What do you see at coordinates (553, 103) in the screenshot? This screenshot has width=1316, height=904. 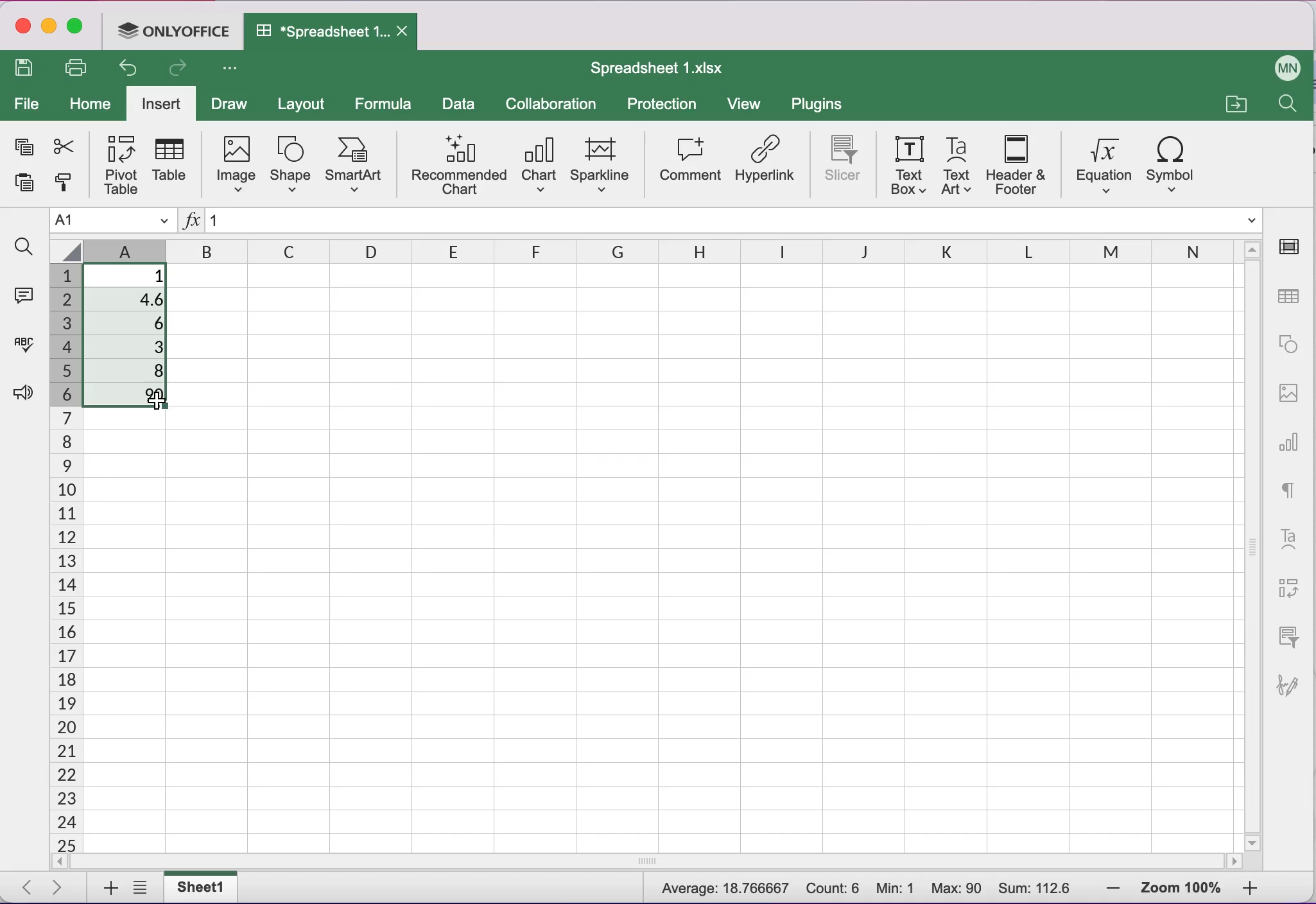 I see `collaboration` at bounding box center [553, 103].